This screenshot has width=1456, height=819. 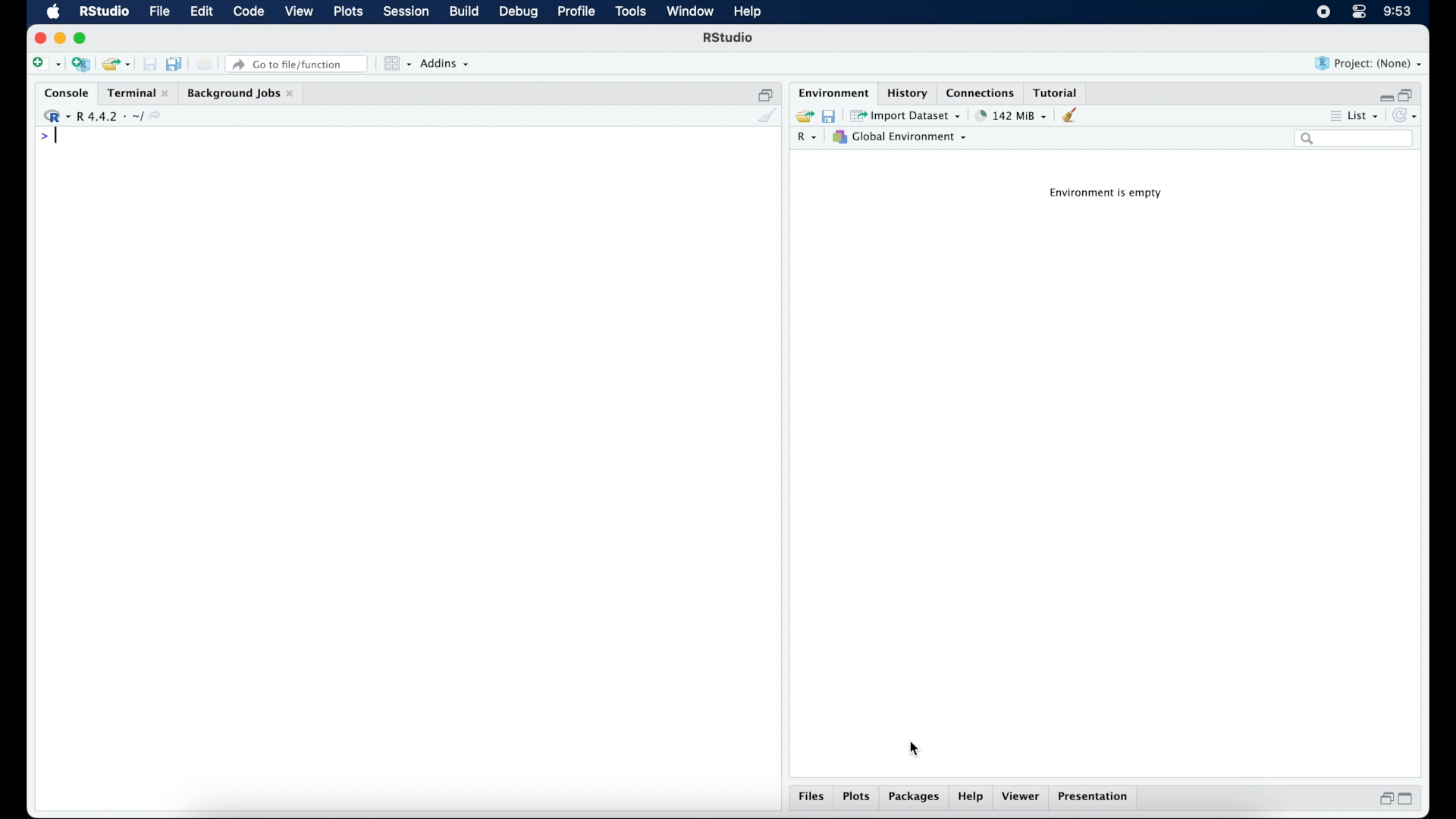 I want to click on history, so click(x=909, y=93).